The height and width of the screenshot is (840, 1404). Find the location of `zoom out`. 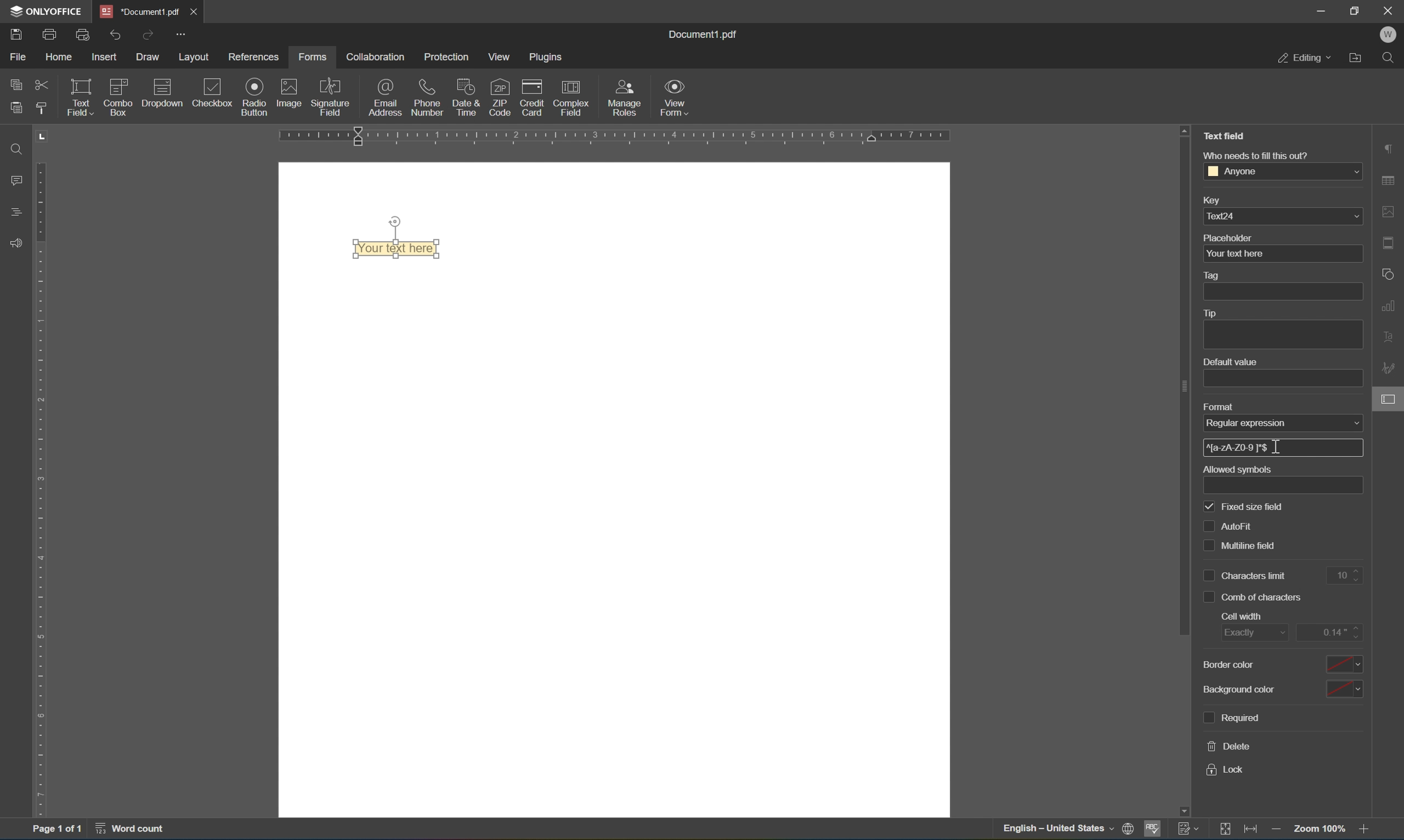

zoom out is located at coordinates (1278, 832).